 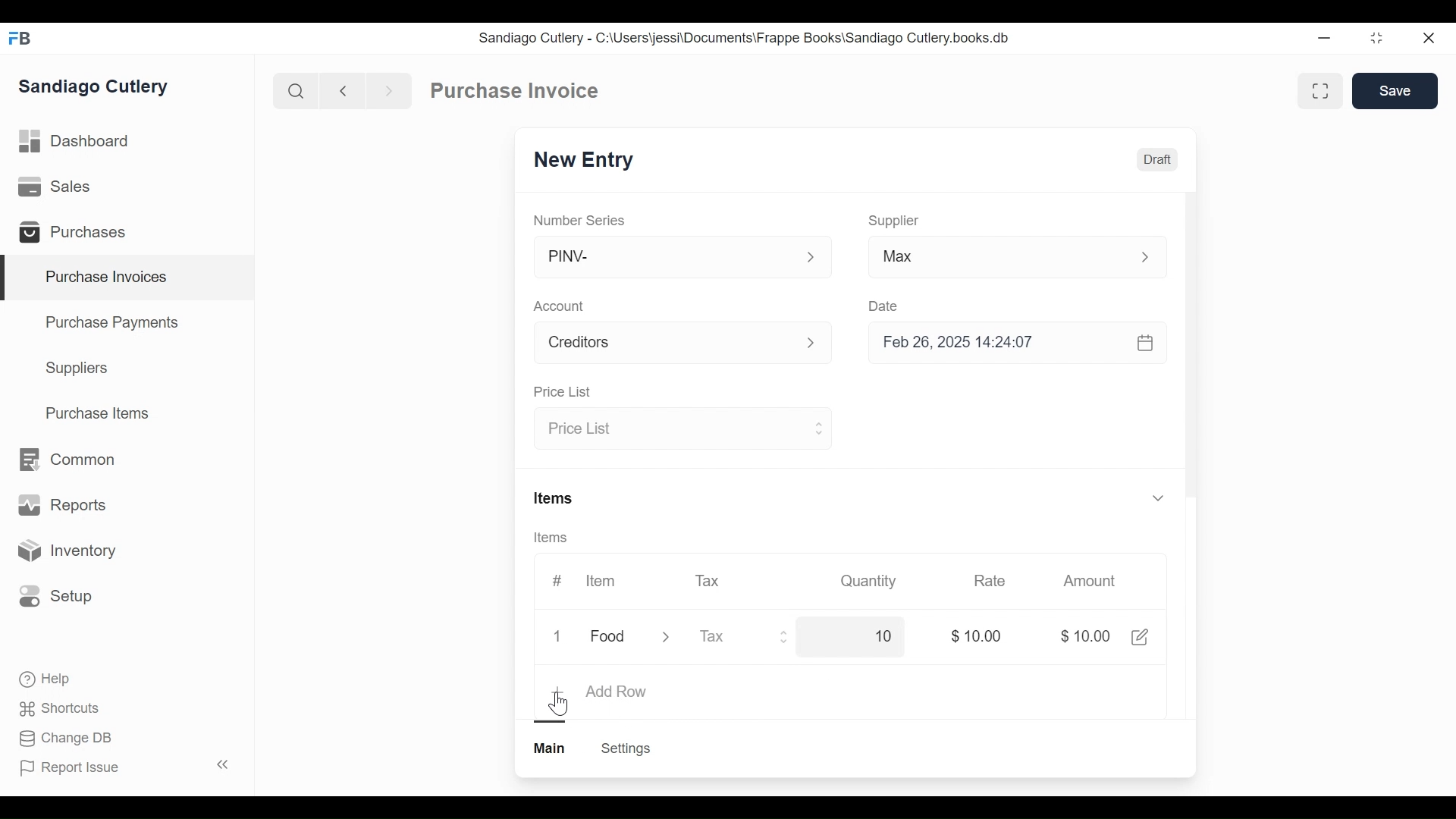 I want to click on Main, so click(x=551, y=747).